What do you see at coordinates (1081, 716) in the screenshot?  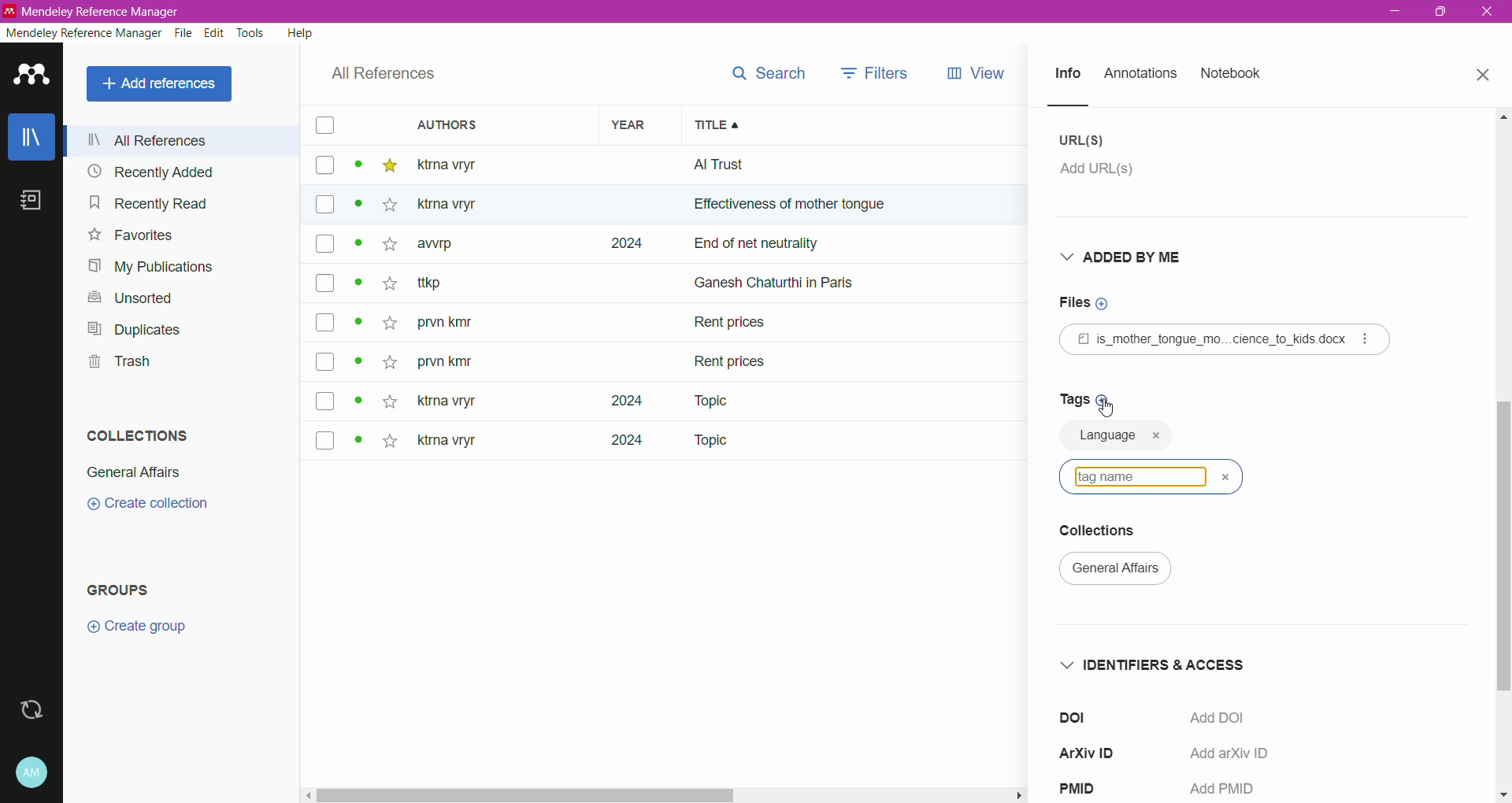 I see `doi` at bounding box center [1081, 716].